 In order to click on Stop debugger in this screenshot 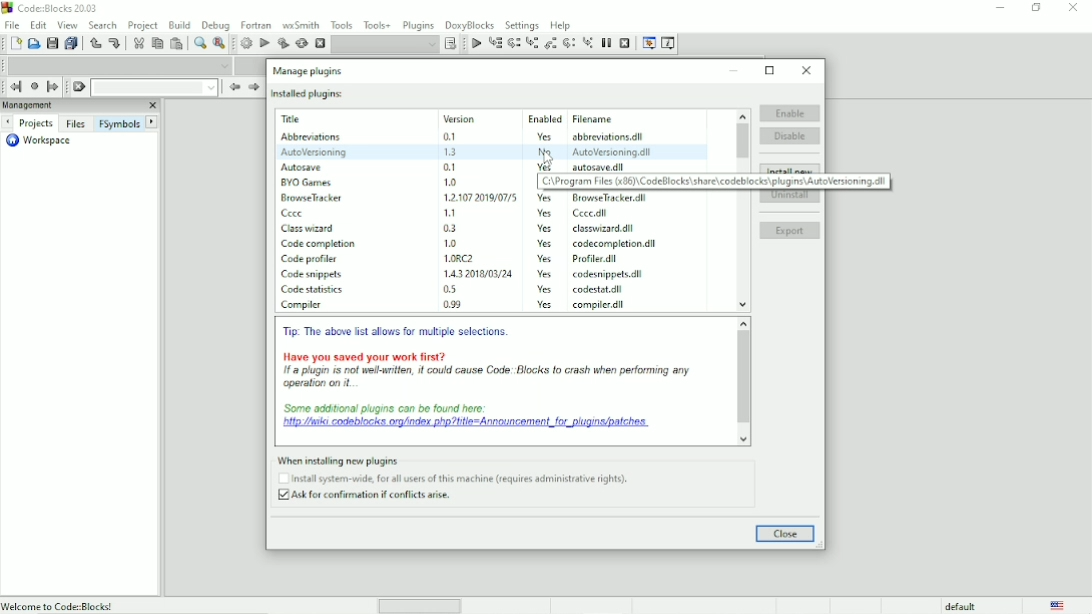, I will do `click(625, 42)`.